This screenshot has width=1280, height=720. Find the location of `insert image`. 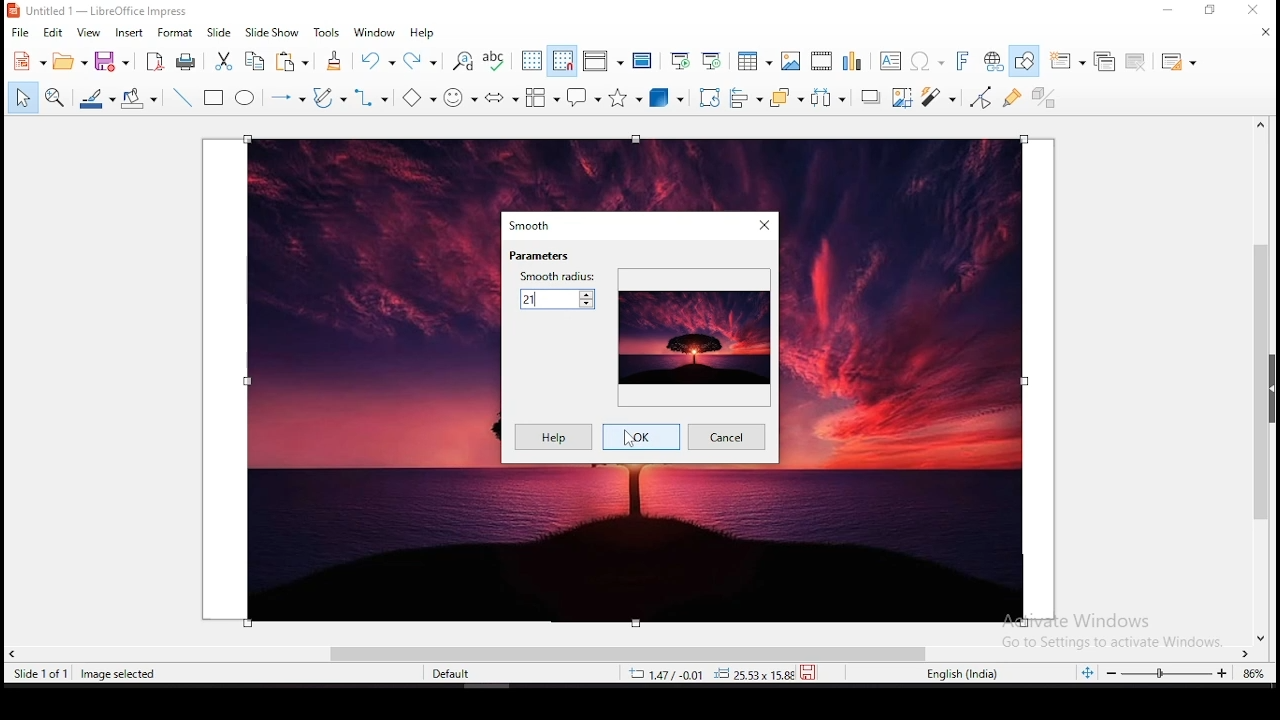

insert image is located at coordinates (792, 62).